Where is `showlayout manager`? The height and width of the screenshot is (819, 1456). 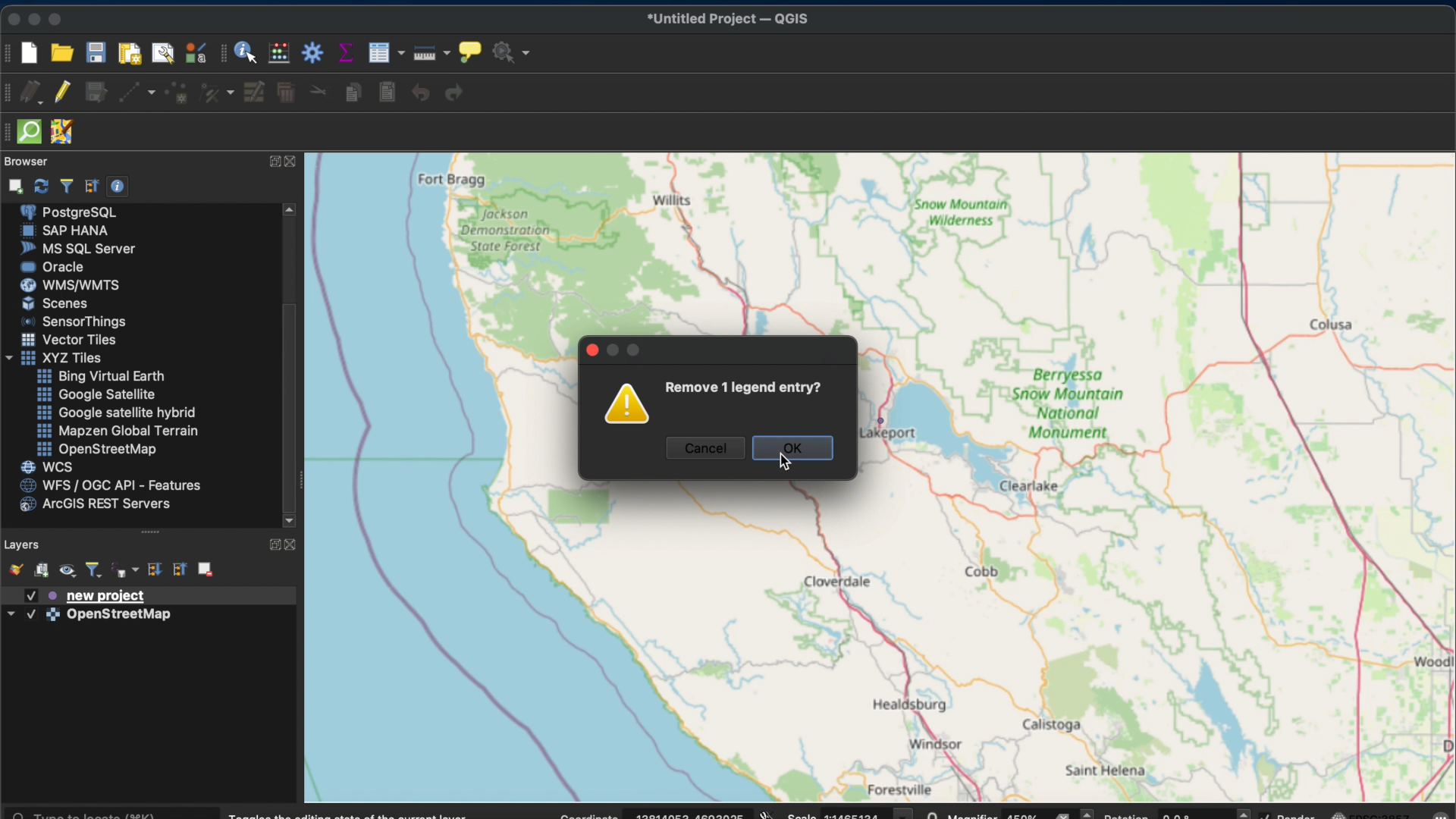
showlayout manager is located at coordinates (163, 54).